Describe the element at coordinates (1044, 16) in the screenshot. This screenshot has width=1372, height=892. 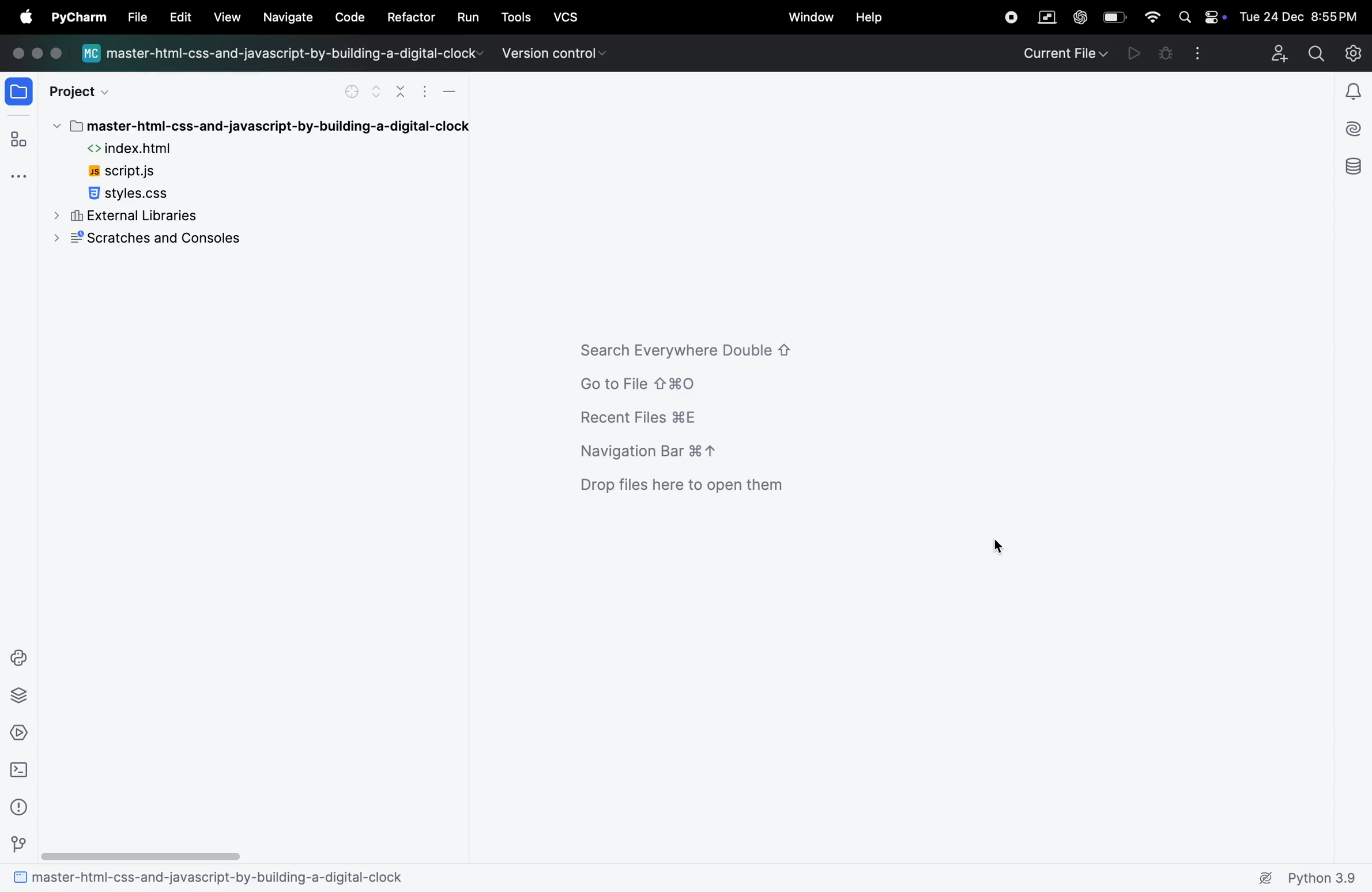
I see `parallel space` at that location.